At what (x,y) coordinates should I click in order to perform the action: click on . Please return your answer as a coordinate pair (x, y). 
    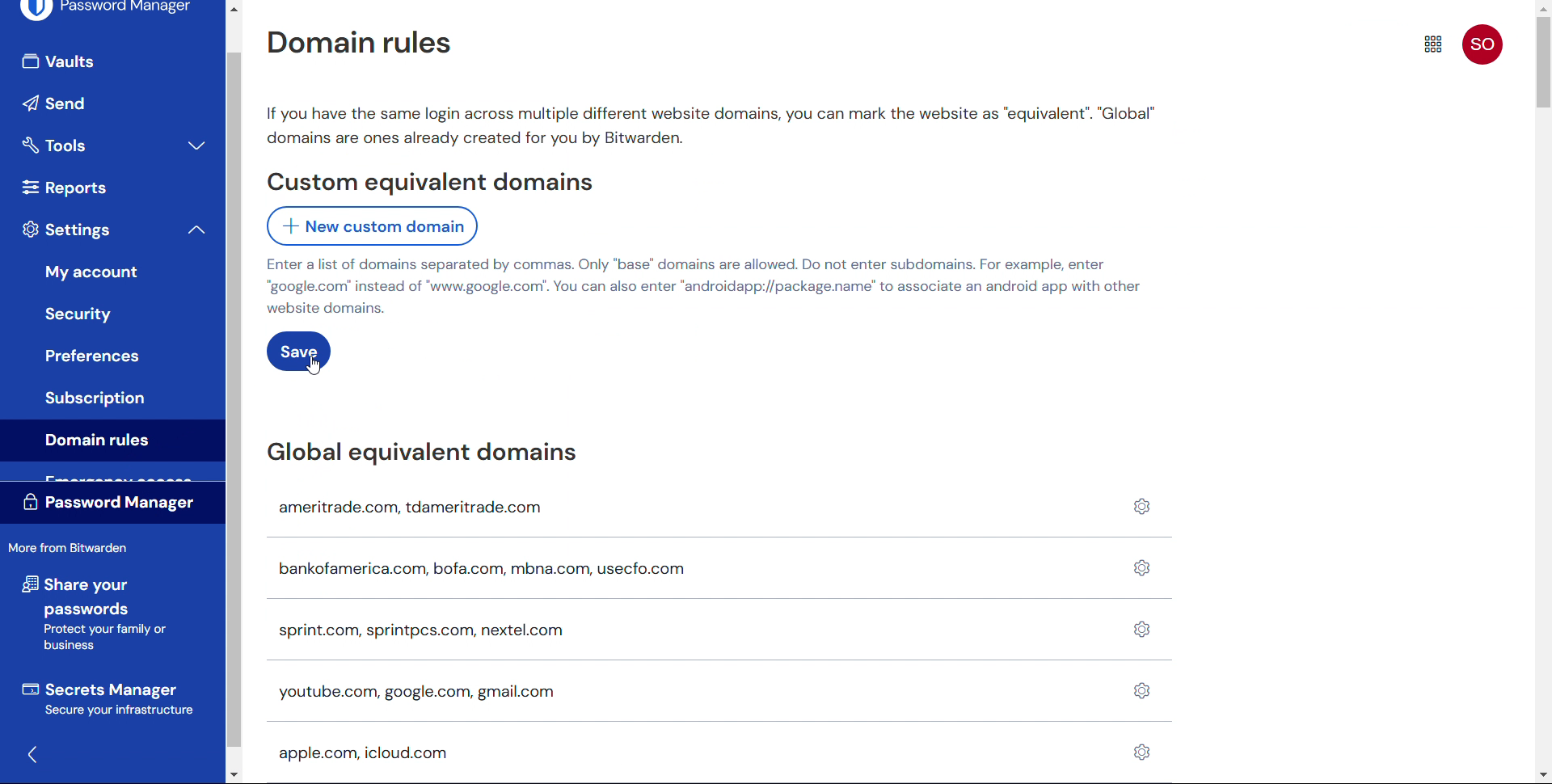
    Looking at the image, I should click on (91, 356).